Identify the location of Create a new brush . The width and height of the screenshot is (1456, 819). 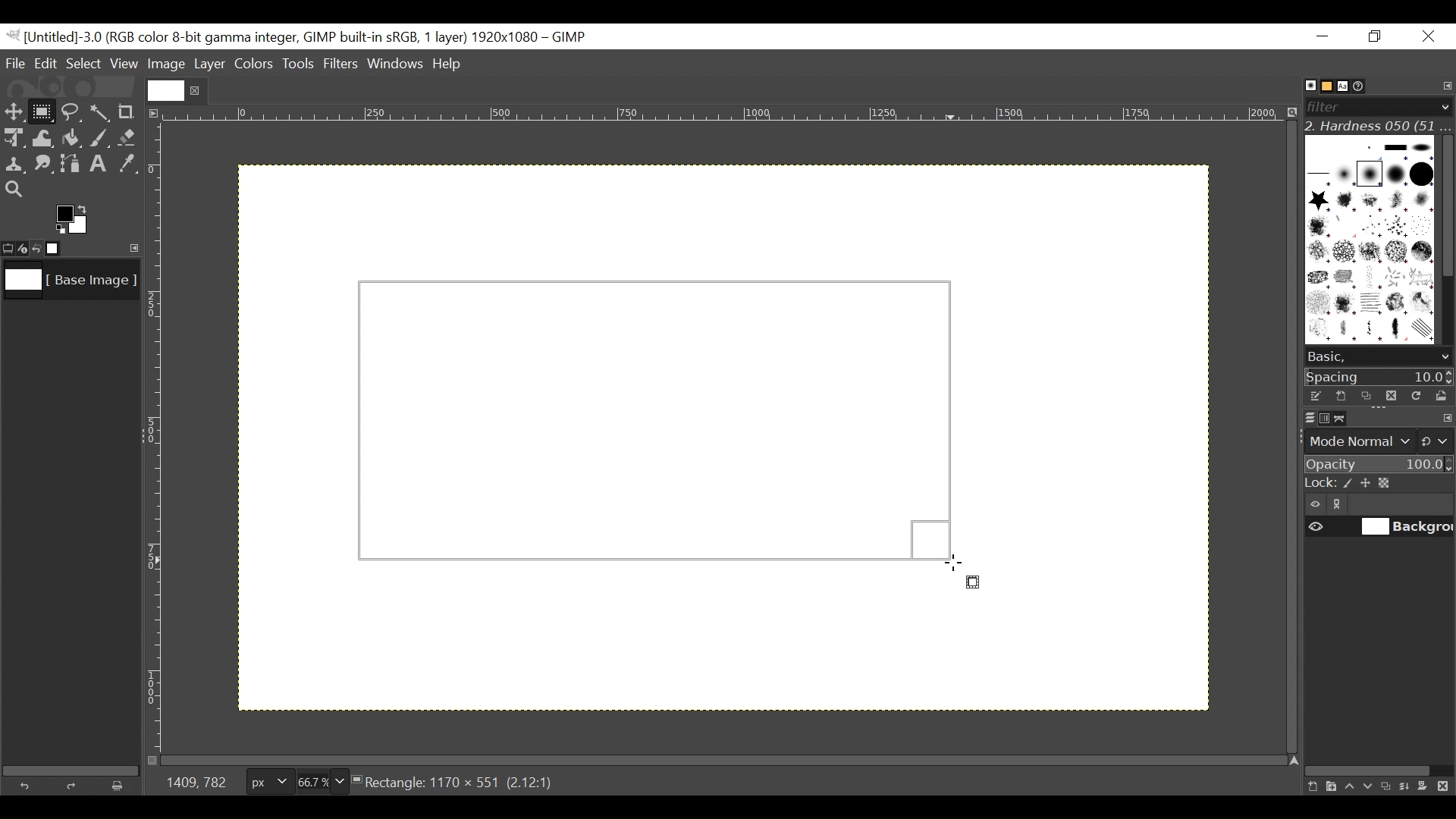
(1340, 396).